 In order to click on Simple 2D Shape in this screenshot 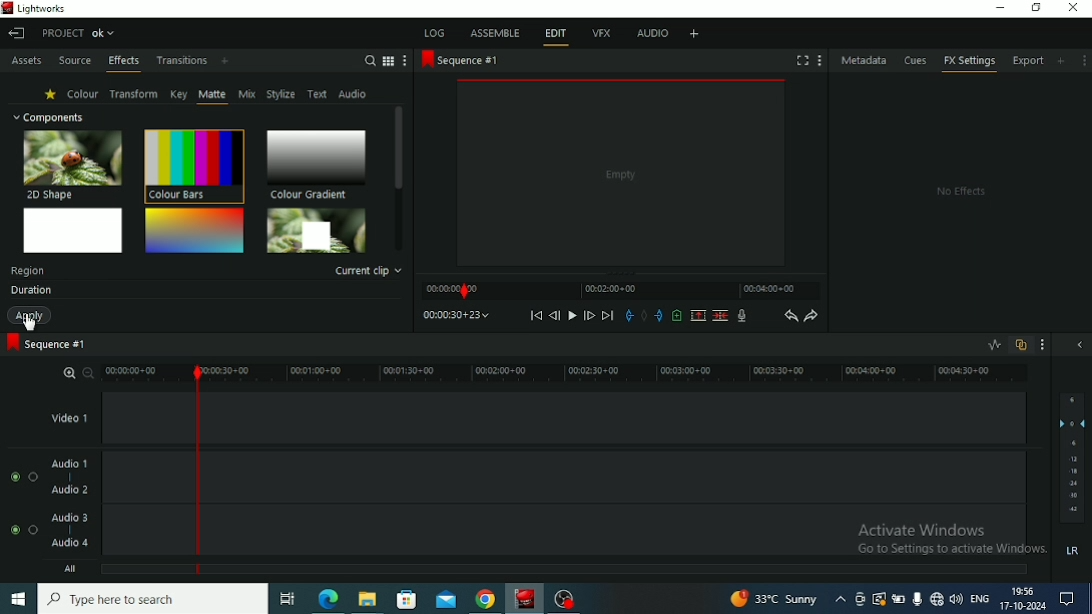, I will do `click(317, 231)`.